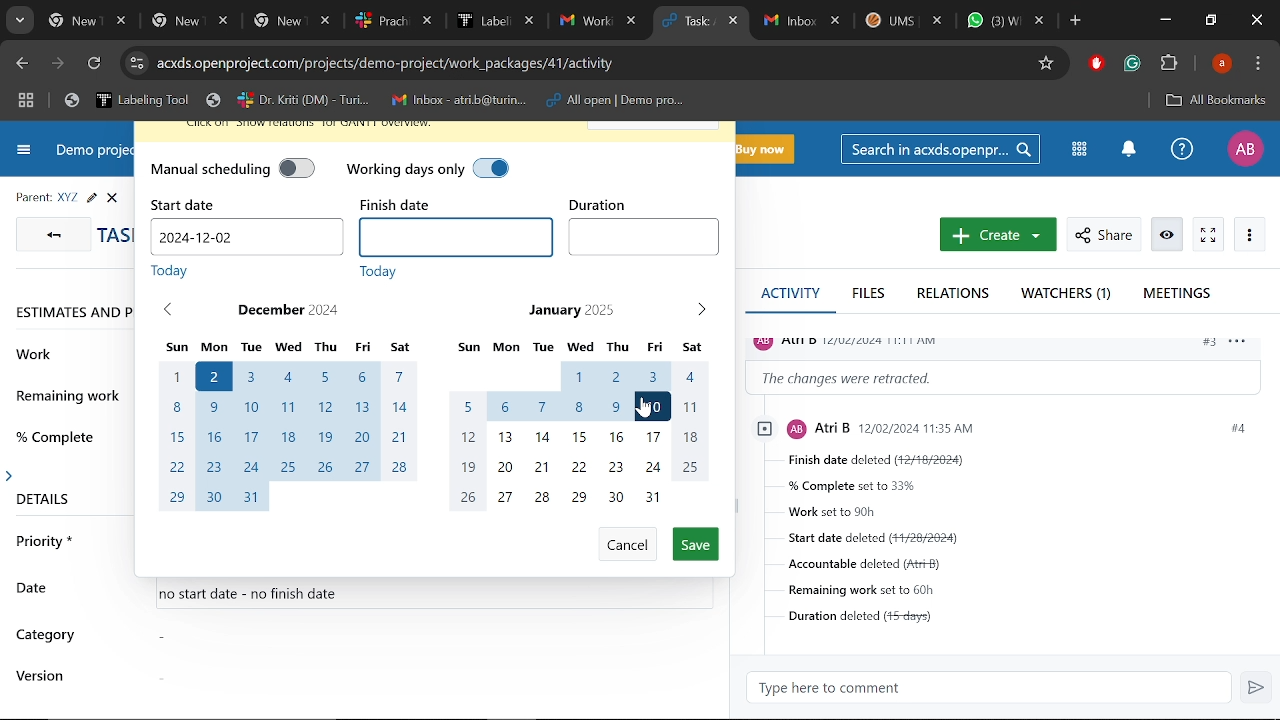 Image resolution: width=1280 pixels, height=720 pixels. I want to click on Cite info, so click(137, 64).